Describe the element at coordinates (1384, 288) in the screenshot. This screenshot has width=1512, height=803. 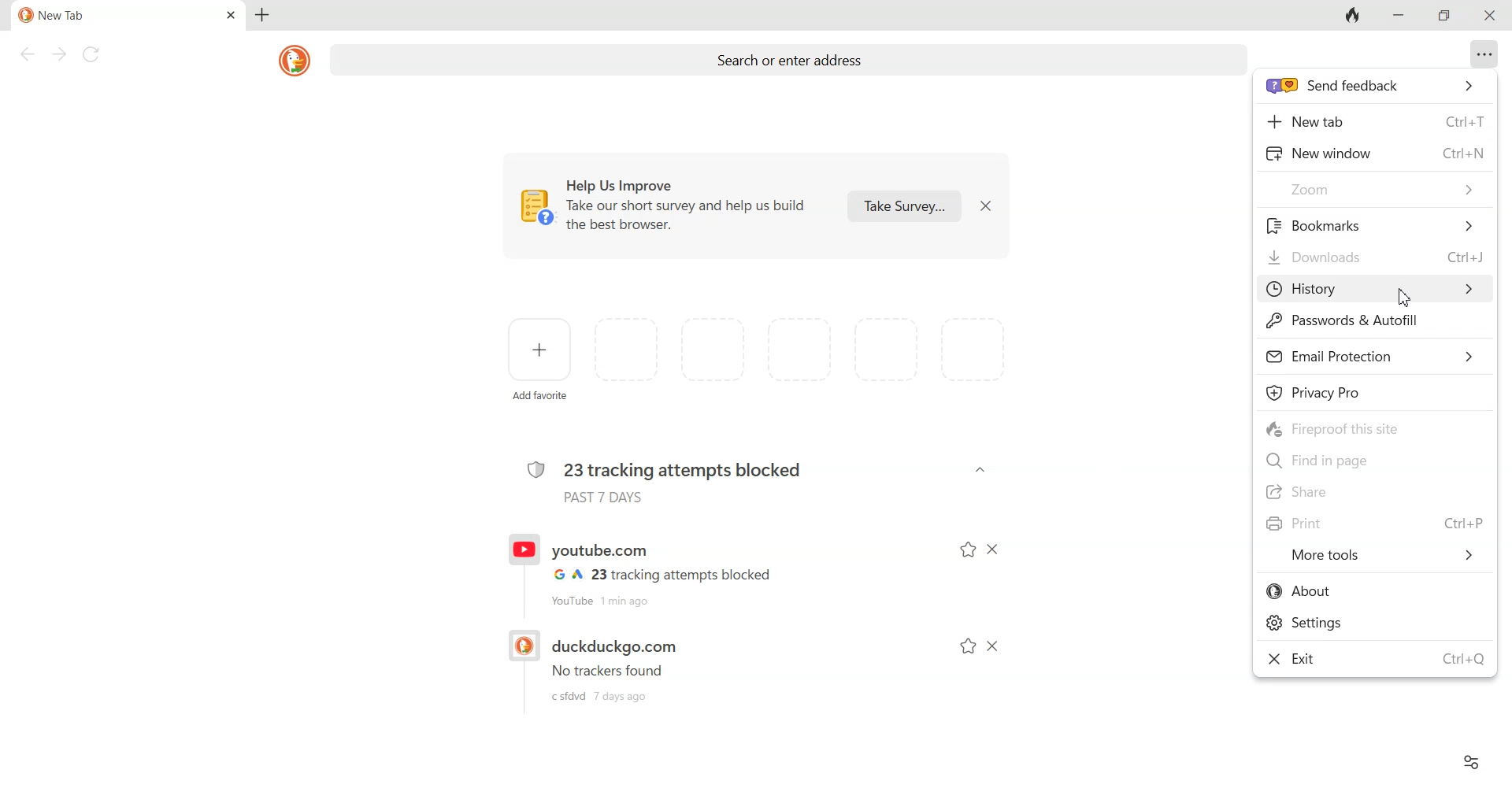
I see `History` at that location.